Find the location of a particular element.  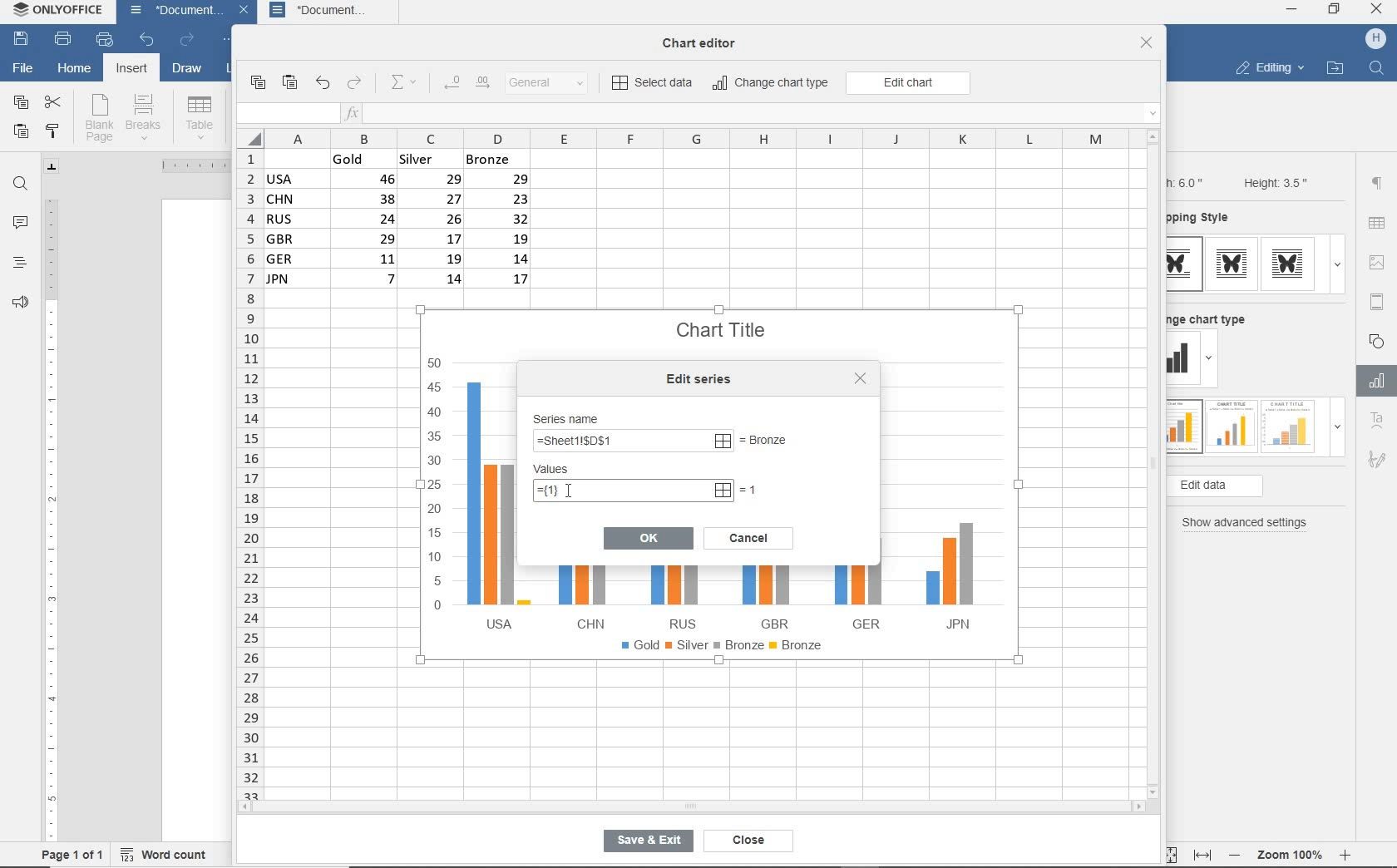

feedback & support is located at coordinates (18, 306).